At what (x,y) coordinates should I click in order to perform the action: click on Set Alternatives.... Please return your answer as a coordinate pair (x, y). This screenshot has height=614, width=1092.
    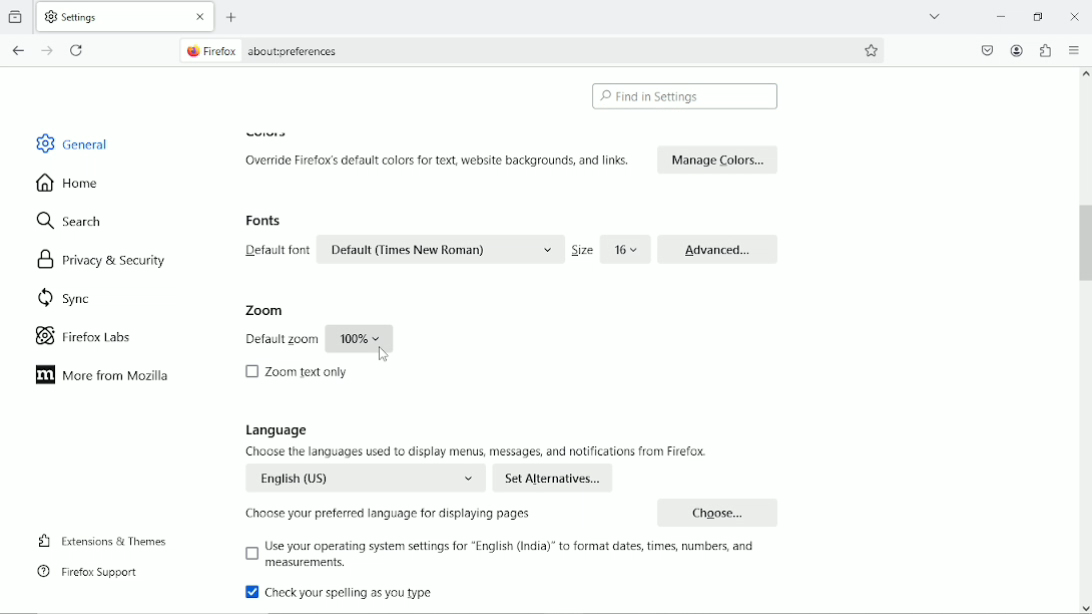
    Looking at the image, I should click on (554, 478).